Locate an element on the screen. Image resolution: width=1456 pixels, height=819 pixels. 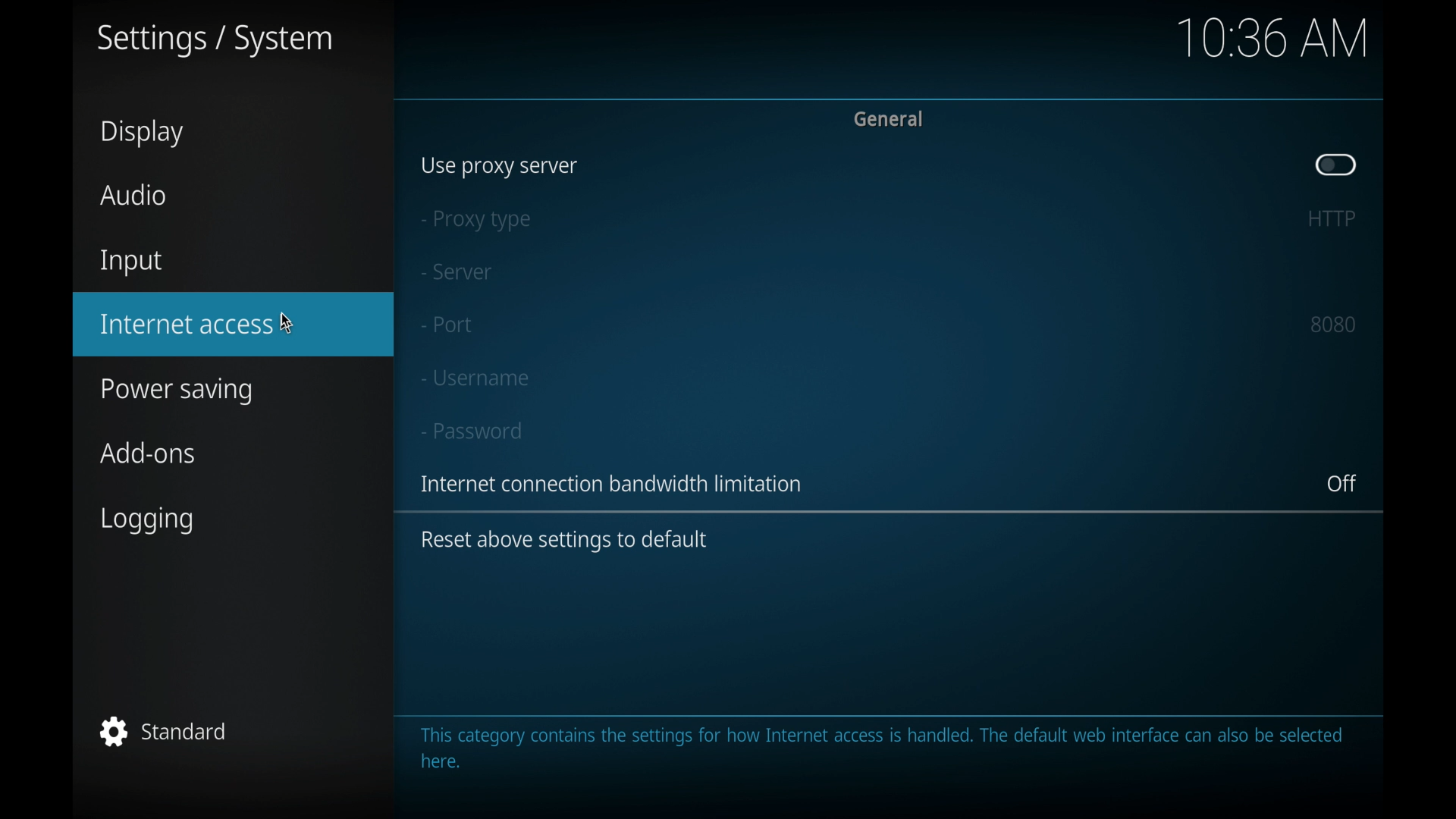
proxy type is located at coordinates (474, 221).